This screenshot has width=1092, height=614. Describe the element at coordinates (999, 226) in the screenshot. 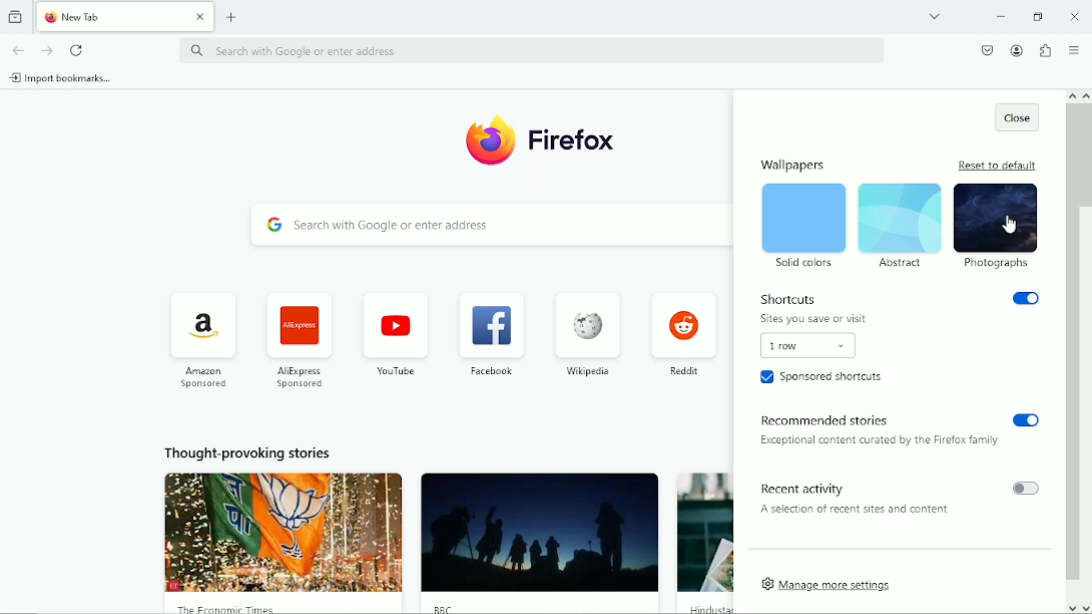

I see `Photographs` at that location.